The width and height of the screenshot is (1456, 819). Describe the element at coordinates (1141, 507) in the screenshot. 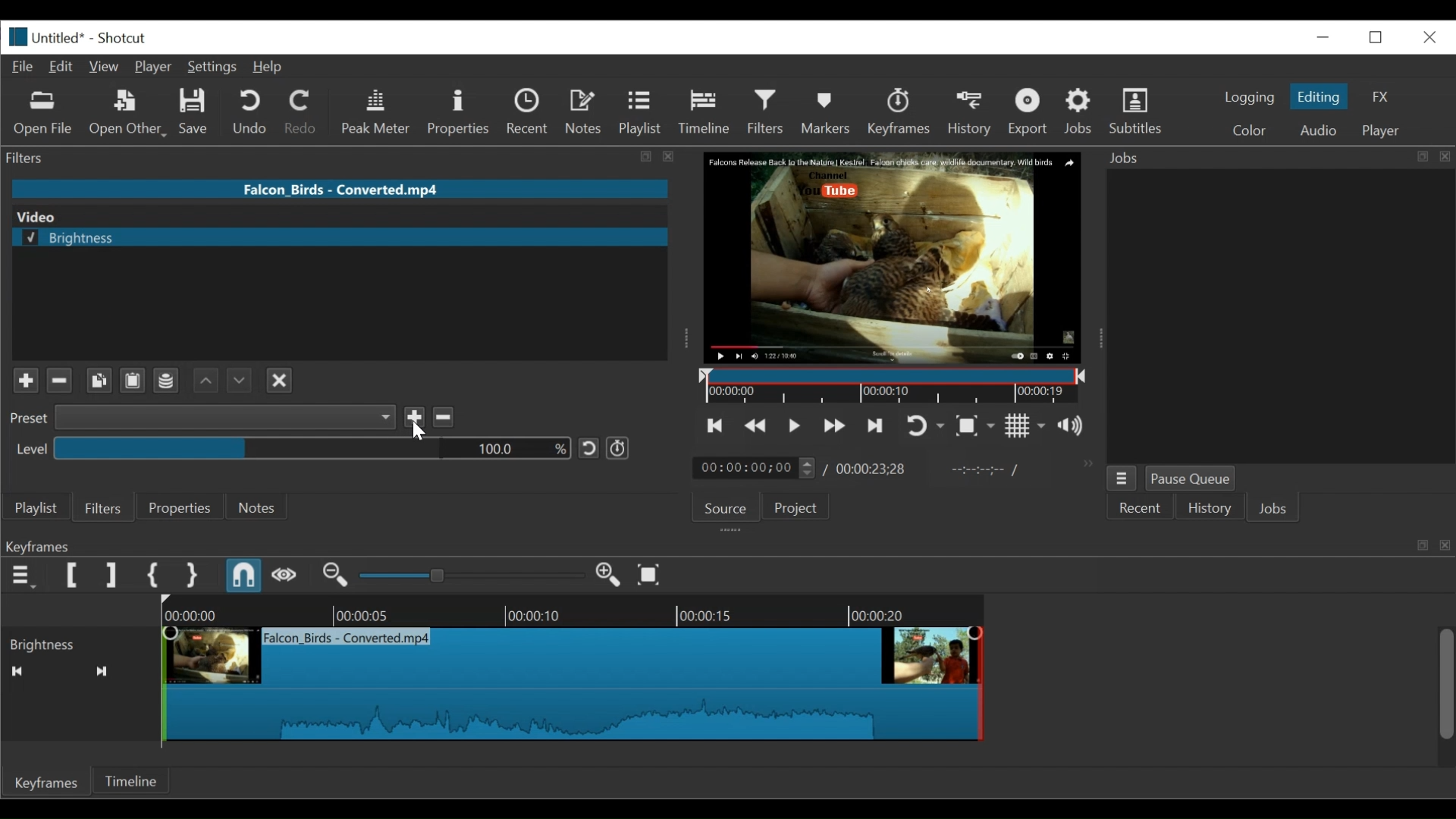

I see `Recent` at that location.